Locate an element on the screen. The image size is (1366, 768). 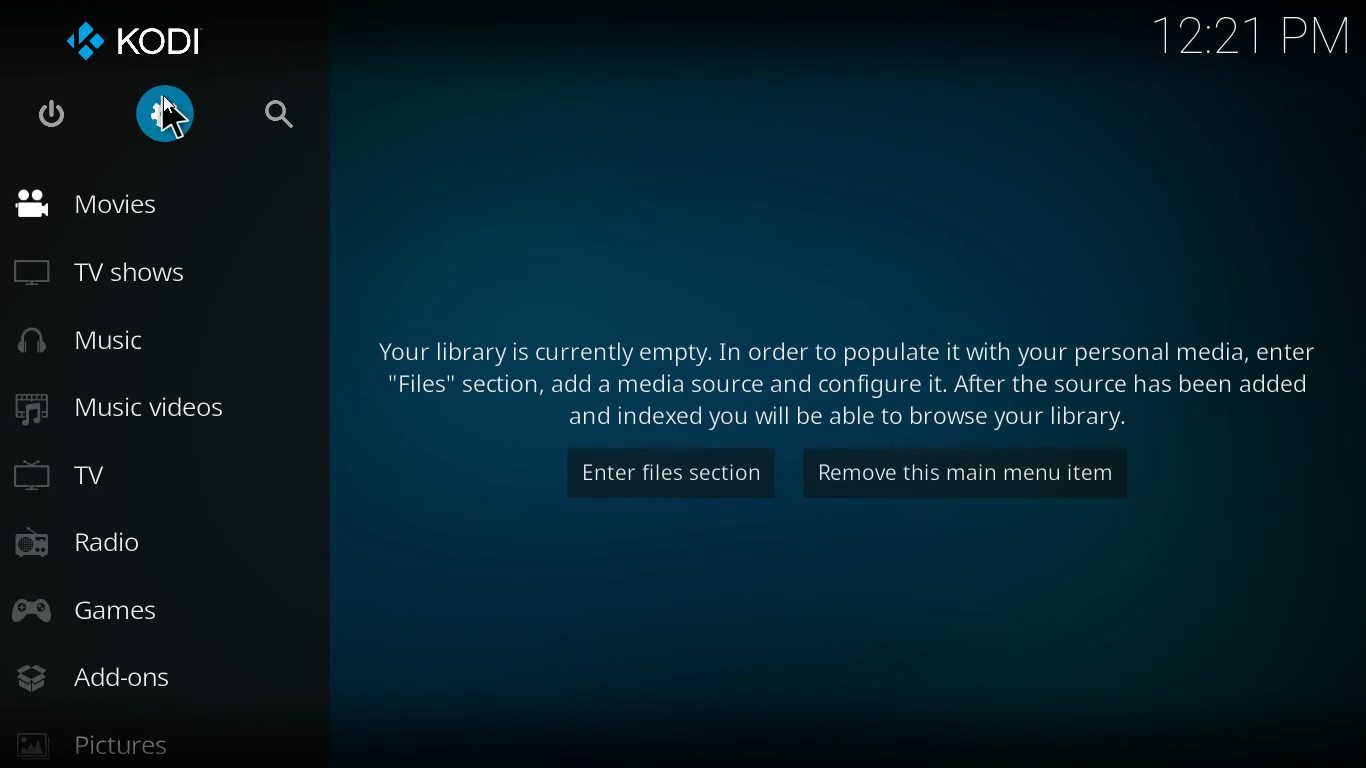
remove this main menu item is located at coordinates (976, 473).